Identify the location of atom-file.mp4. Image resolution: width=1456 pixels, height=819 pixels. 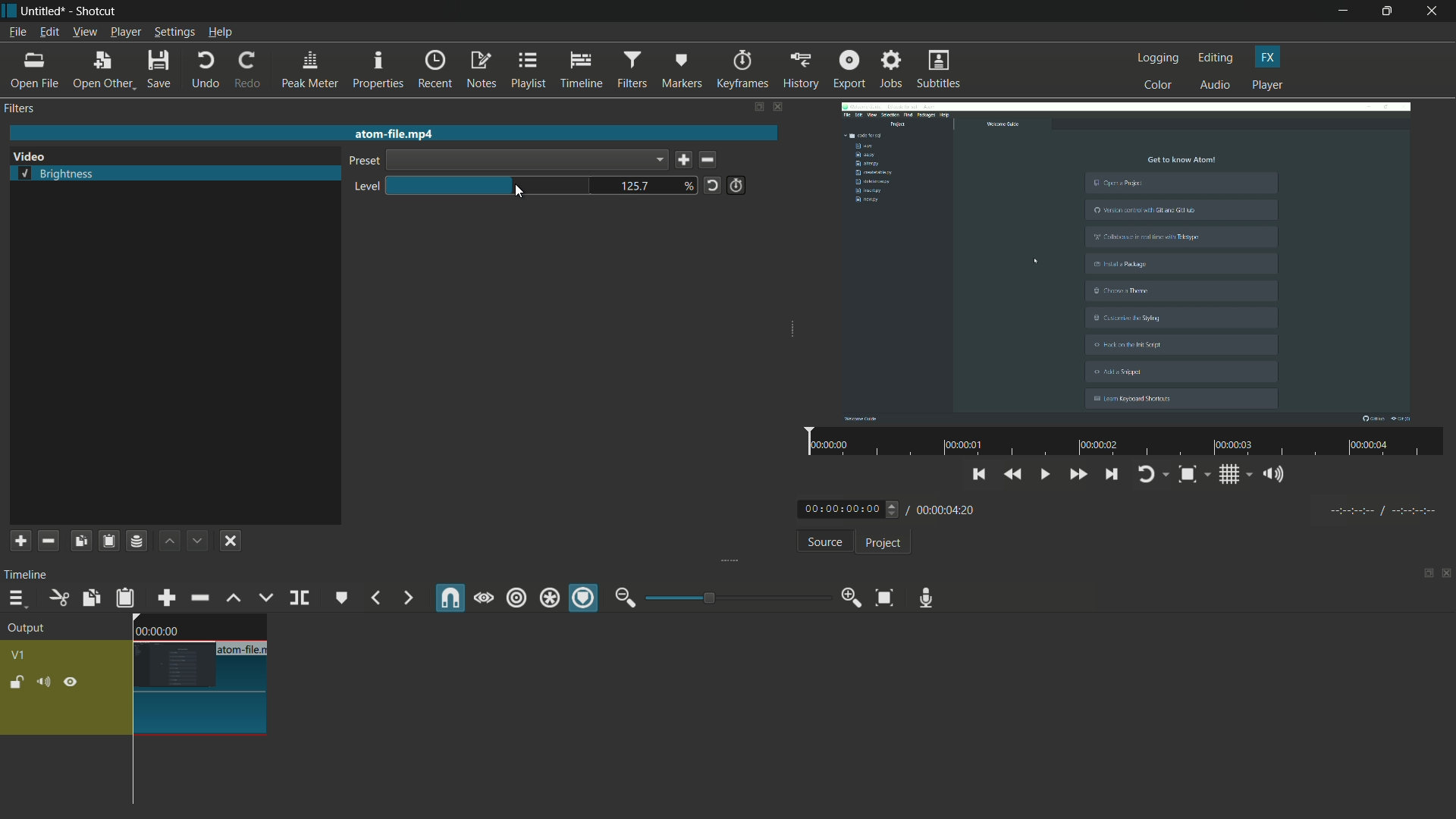
(393, 133).